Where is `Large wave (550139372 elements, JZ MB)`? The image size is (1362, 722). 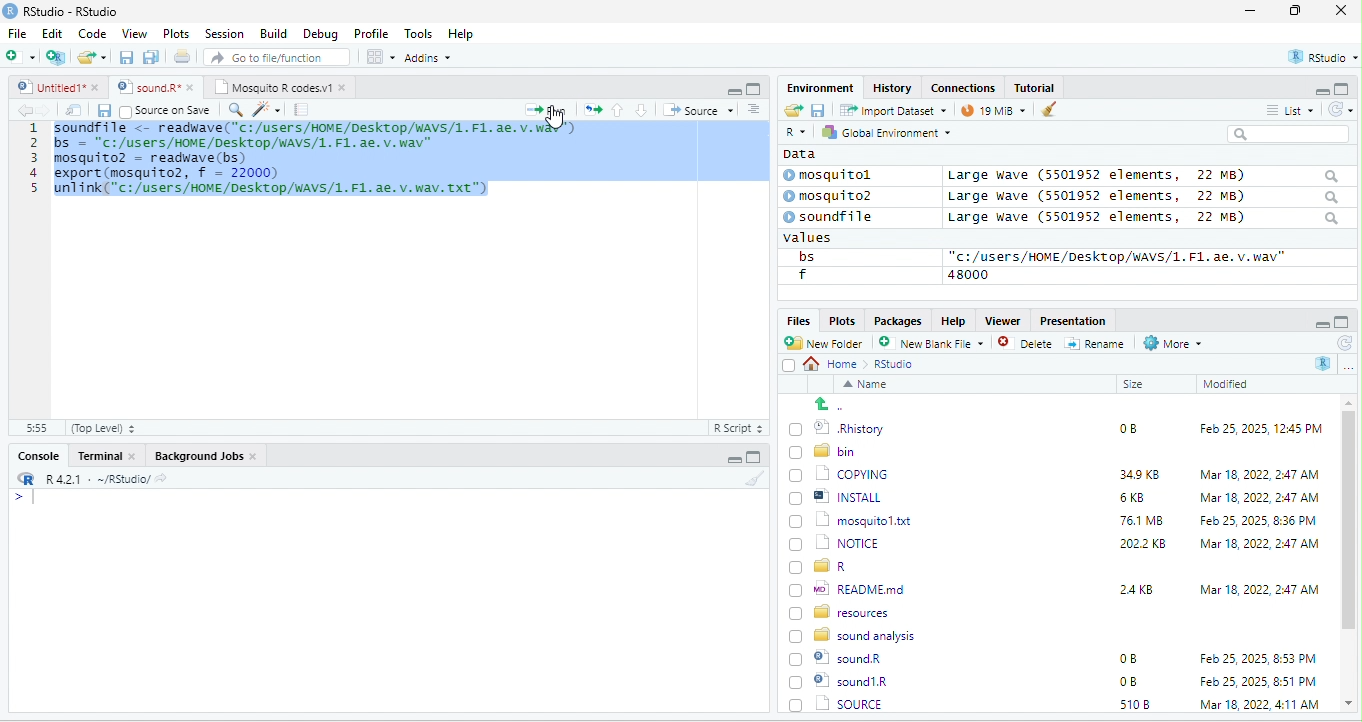
Large wave (550139372 elements, JZ MB) is located at coordinates (1145, 196).